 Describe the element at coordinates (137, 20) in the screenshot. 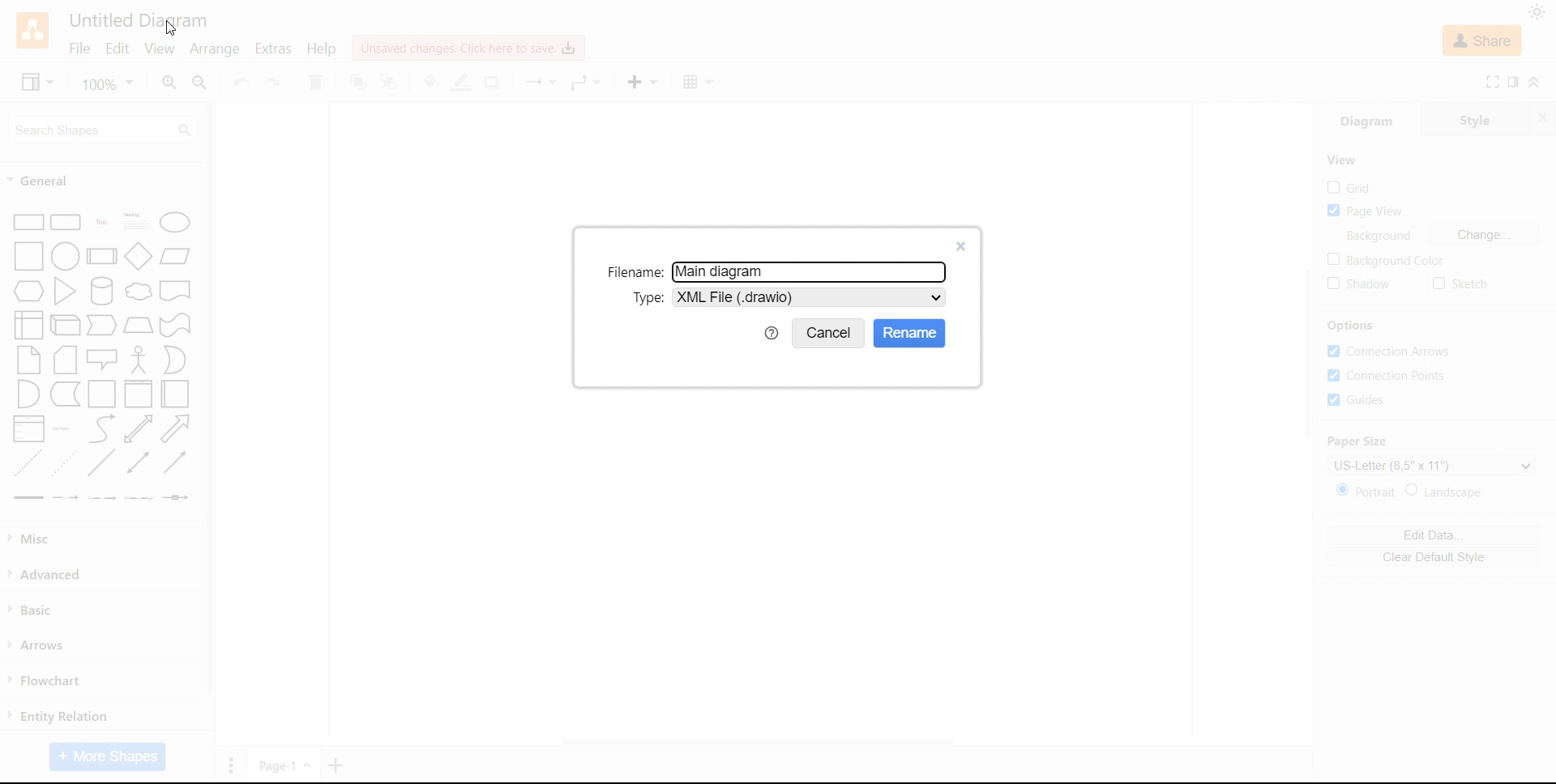

I see `Untitled diagram ` at that location.